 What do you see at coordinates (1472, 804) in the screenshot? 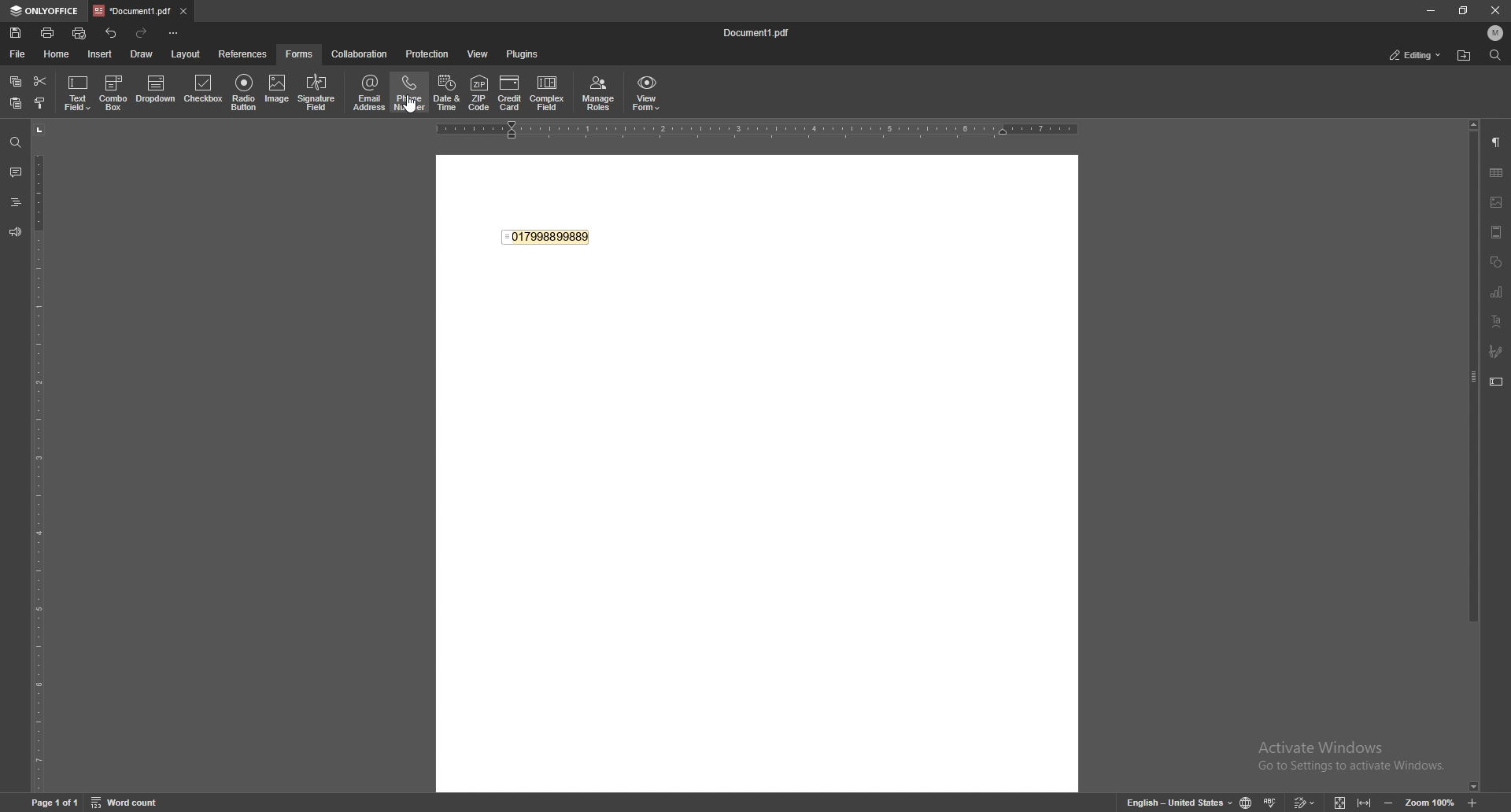
I see `zoom in` at bounding box center [1472, 804].